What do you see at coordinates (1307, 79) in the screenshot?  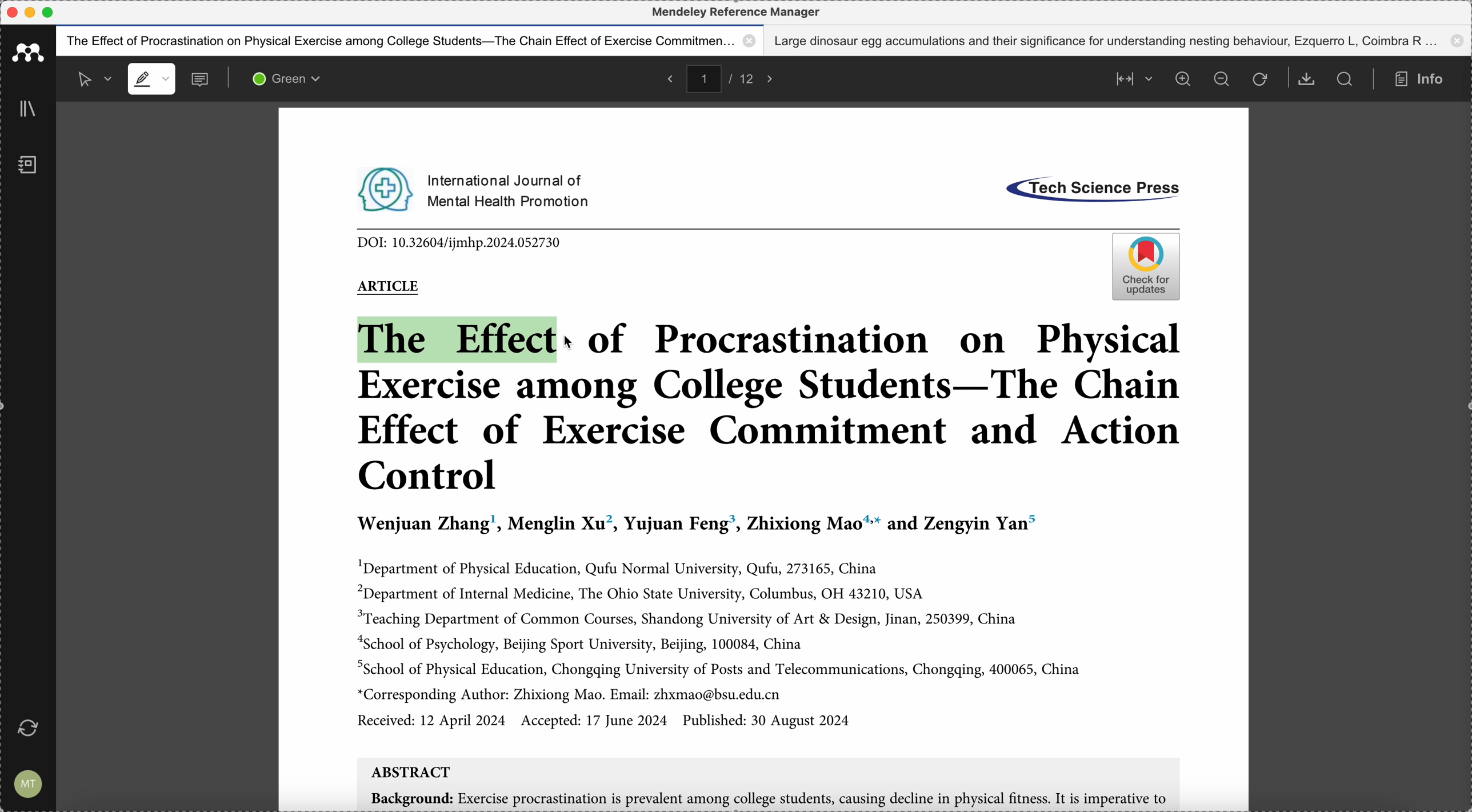 I see `download document` at bounding box center [1307, 79].